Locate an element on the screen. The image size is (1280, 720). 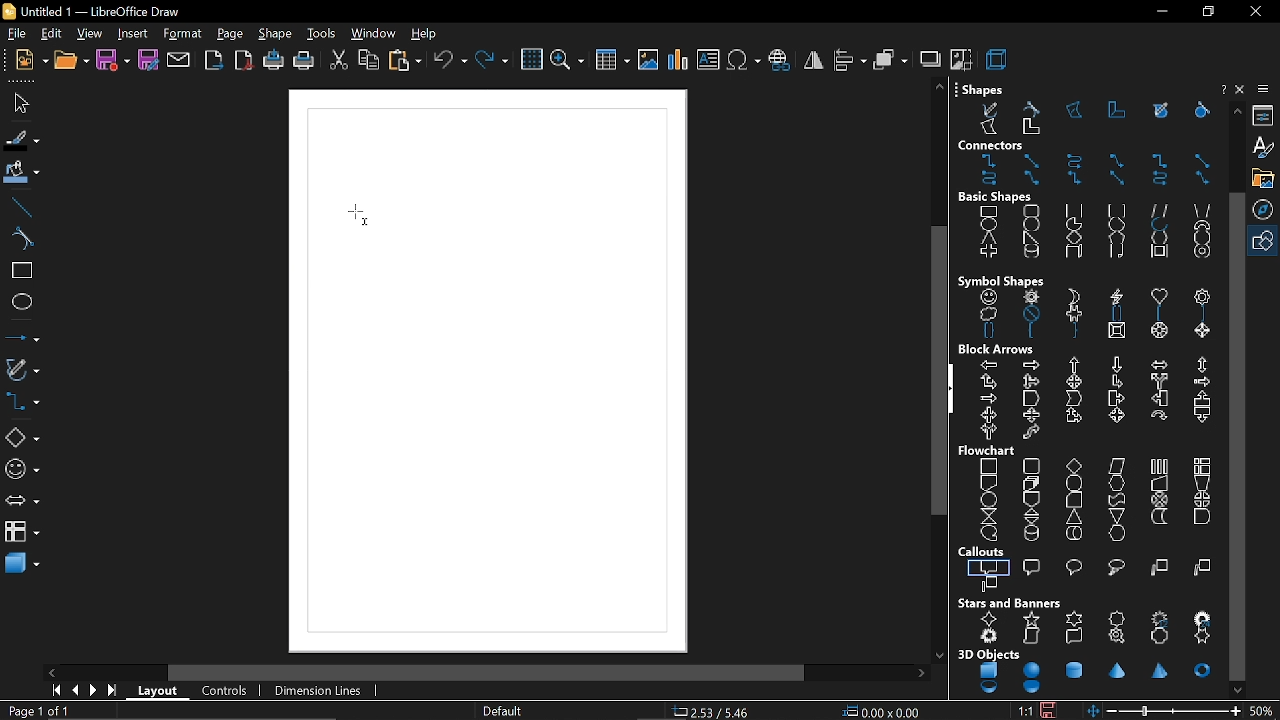
arrange is located at coordinates (890, 60).